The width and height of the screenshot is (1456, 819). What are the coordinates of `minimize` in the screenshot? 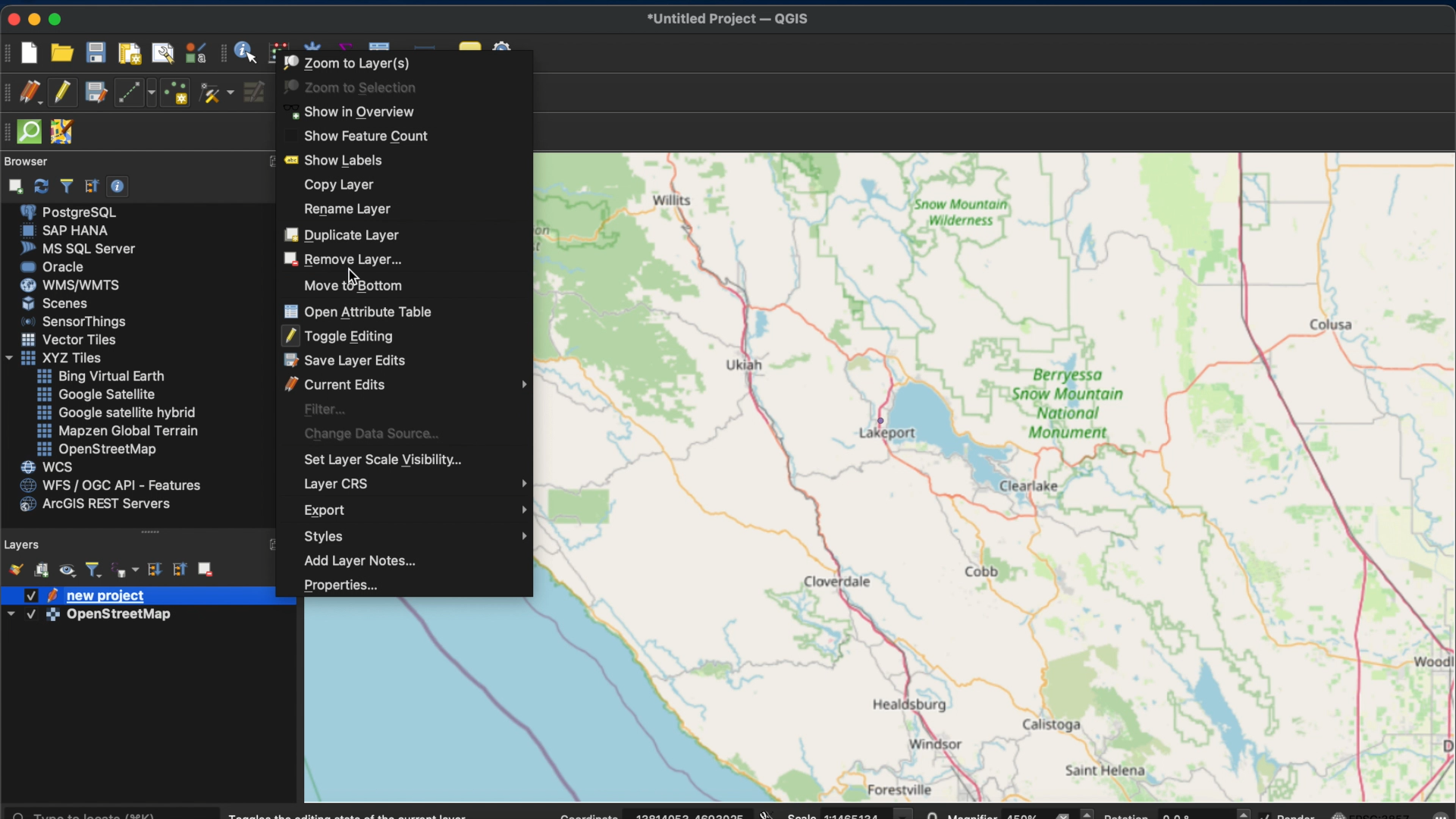 It's located at (36, 19).